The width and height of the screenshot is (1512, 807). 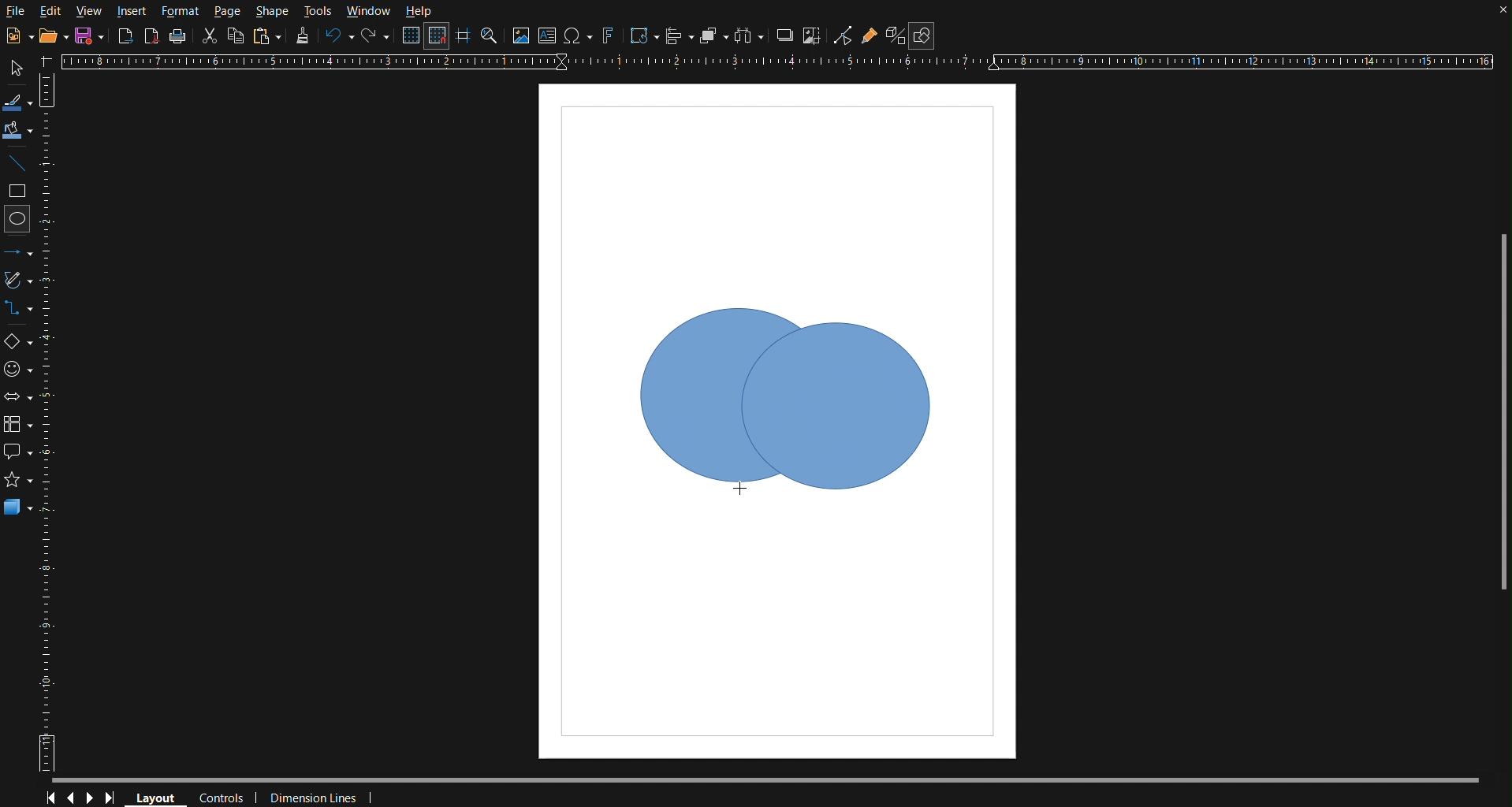 What do you see at coordinates (18, 449) in the screenshot?
I see `Callout Shapes` at bounding box center [18, 449].